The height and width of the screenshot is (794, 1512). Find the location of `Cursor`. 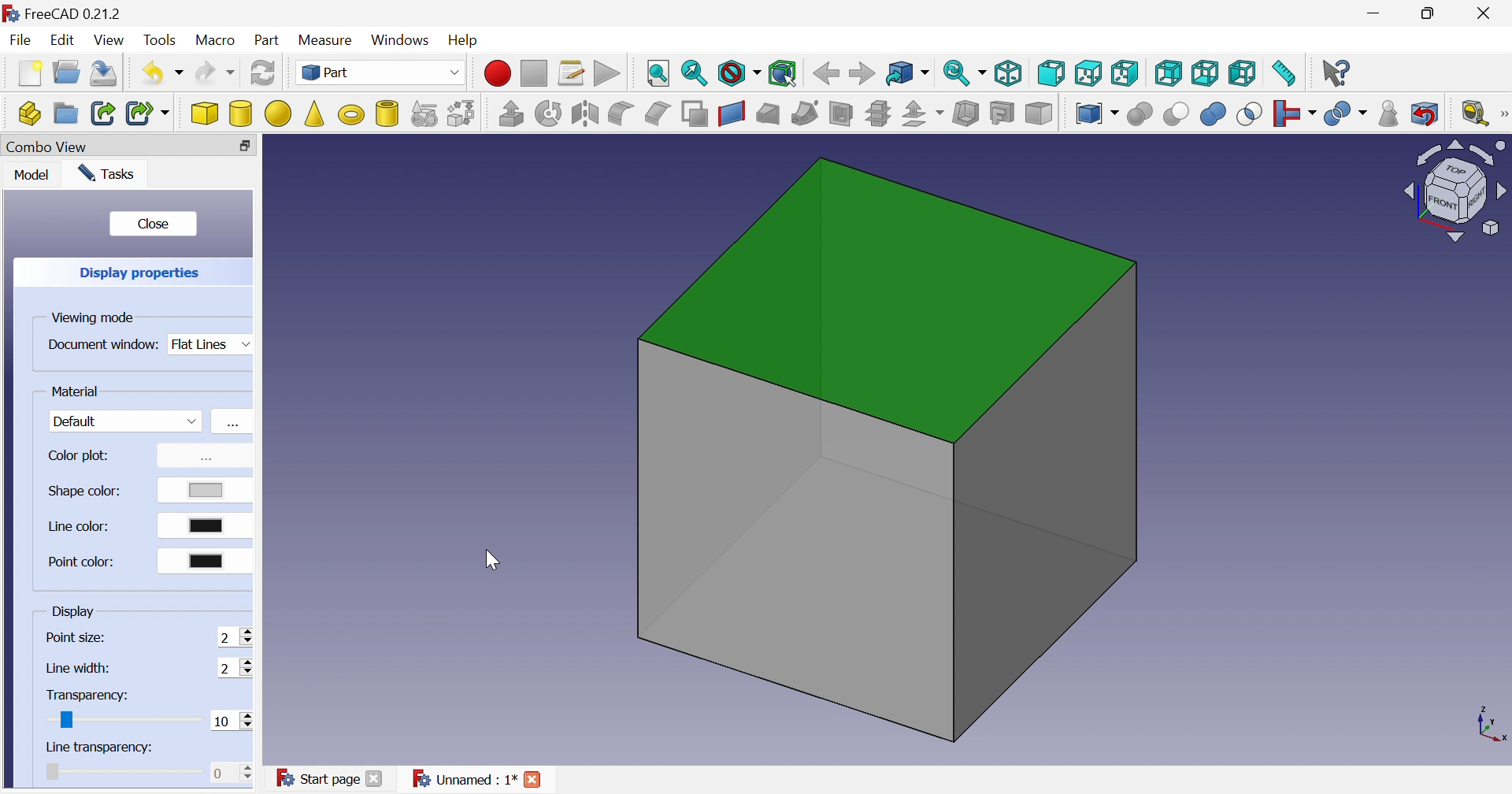

Cursor is located at coordinates (124, 725).